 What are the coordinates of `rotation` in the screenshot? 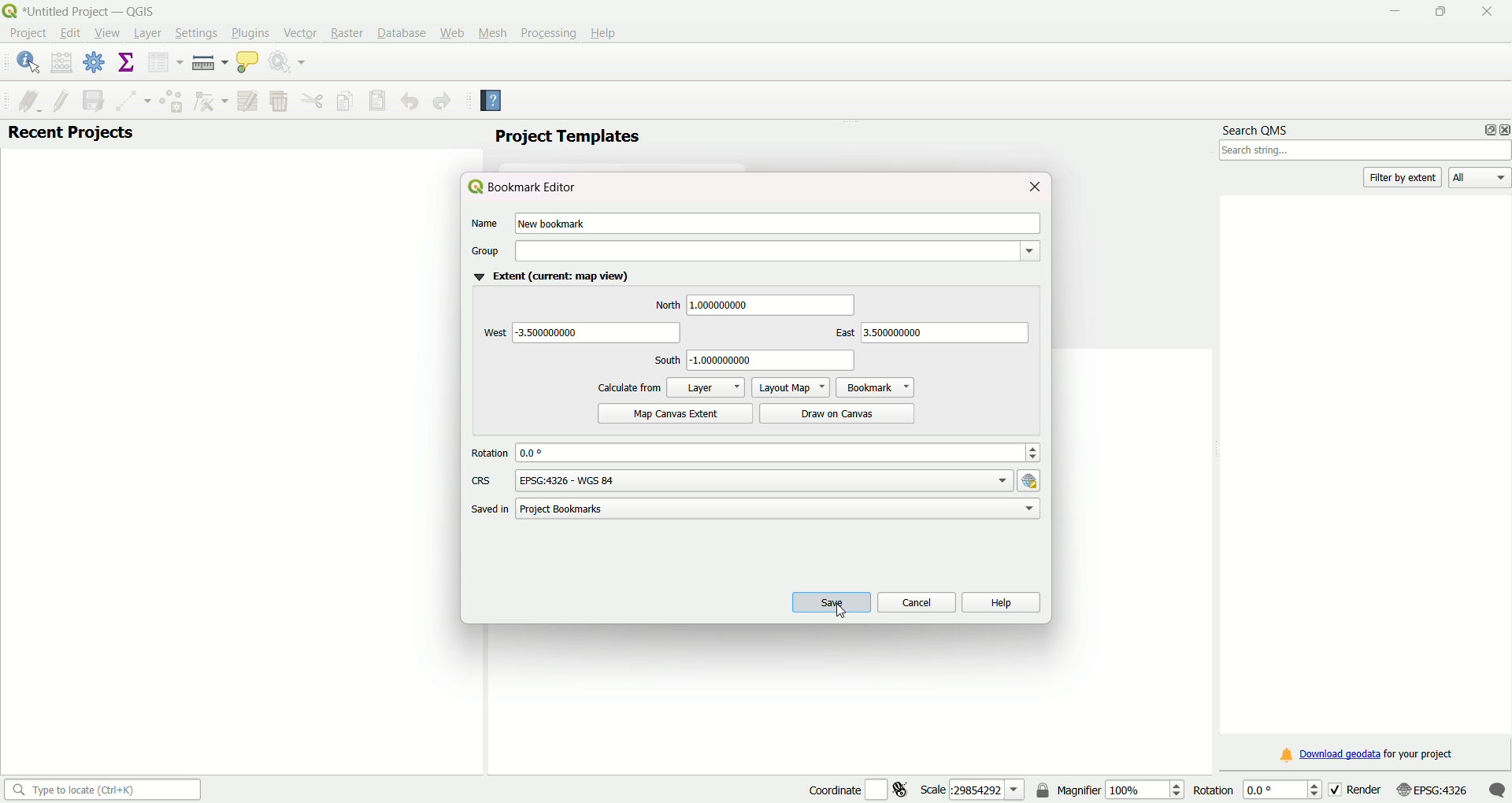 It's located at (490, 453).